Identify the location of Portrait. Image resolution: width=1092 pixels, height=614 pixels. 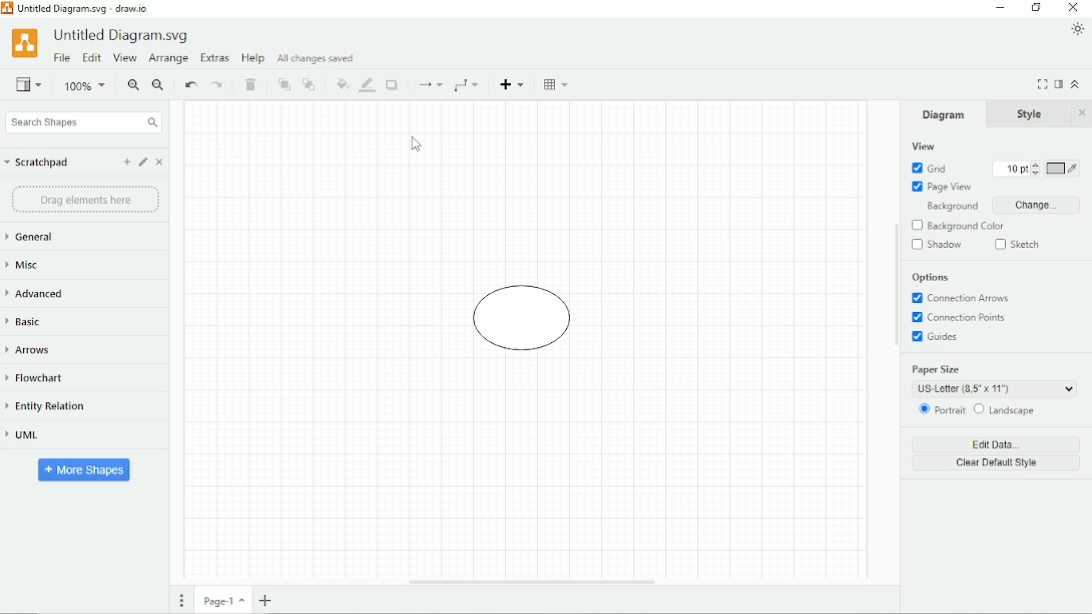
(942, 411).